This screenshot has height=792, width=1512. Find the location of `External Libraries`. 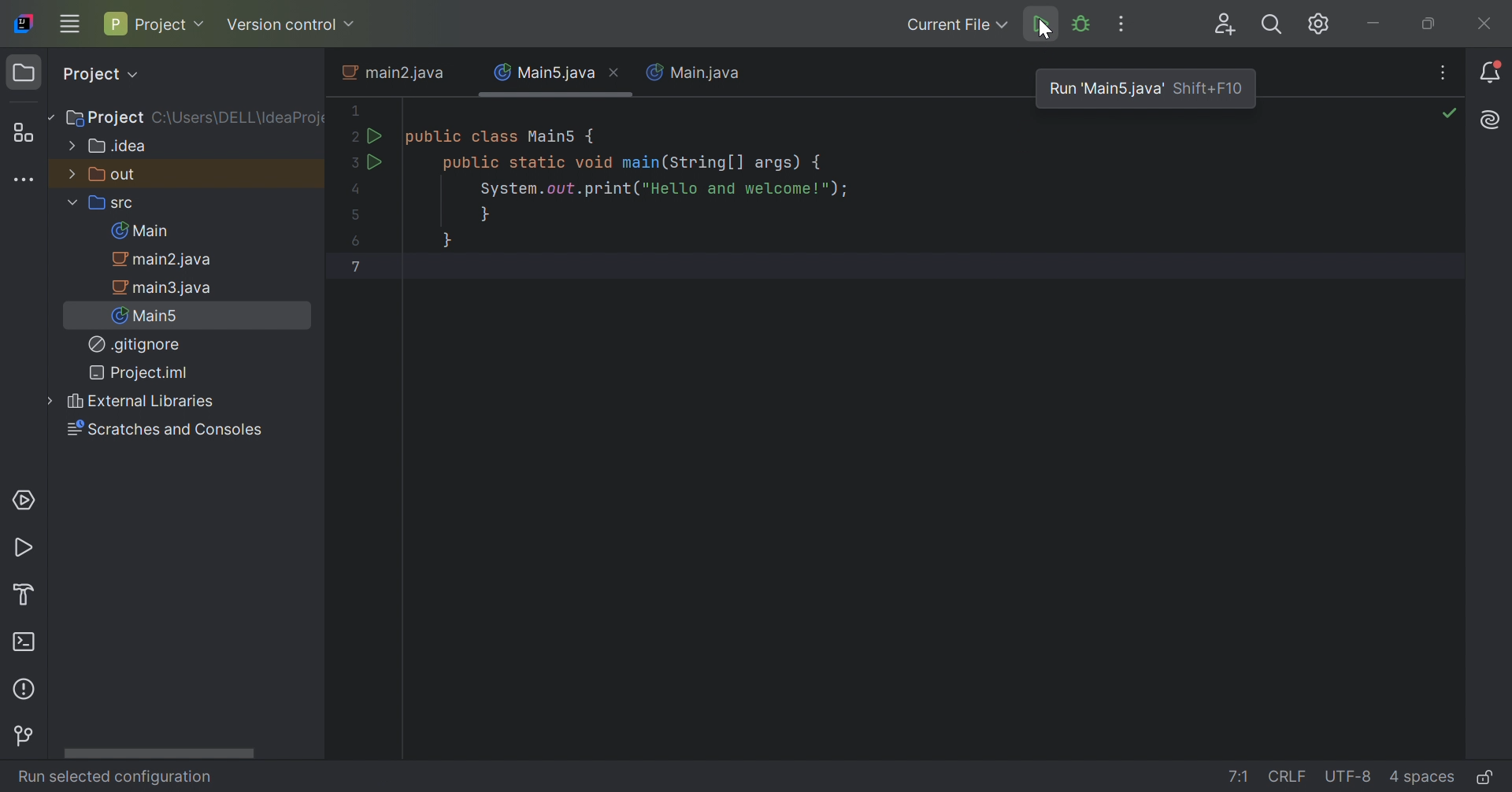

External Libraries is located at coordinates (137, 400).